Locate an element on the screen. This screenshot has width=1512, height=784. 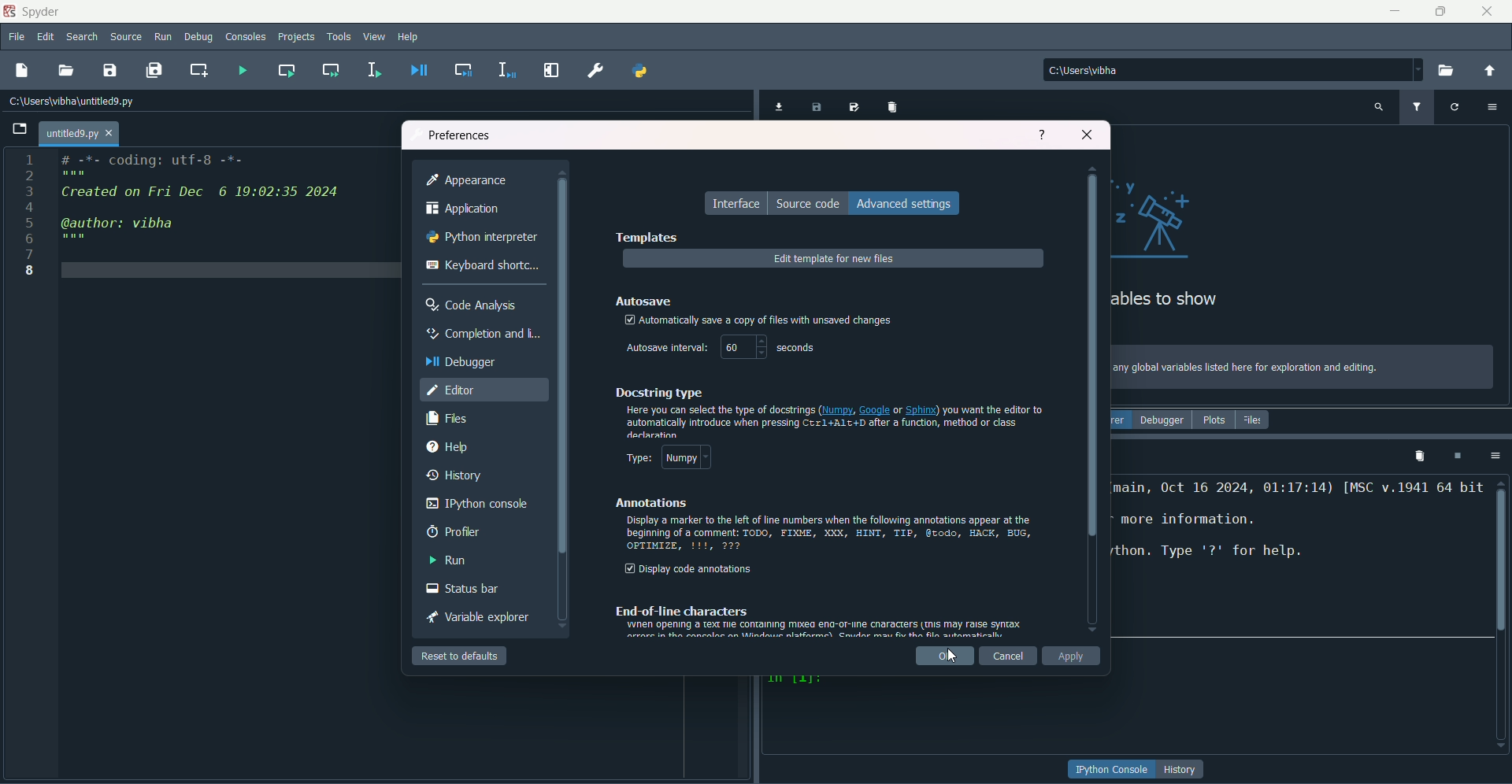
edit is located at coordinates (46, 38).